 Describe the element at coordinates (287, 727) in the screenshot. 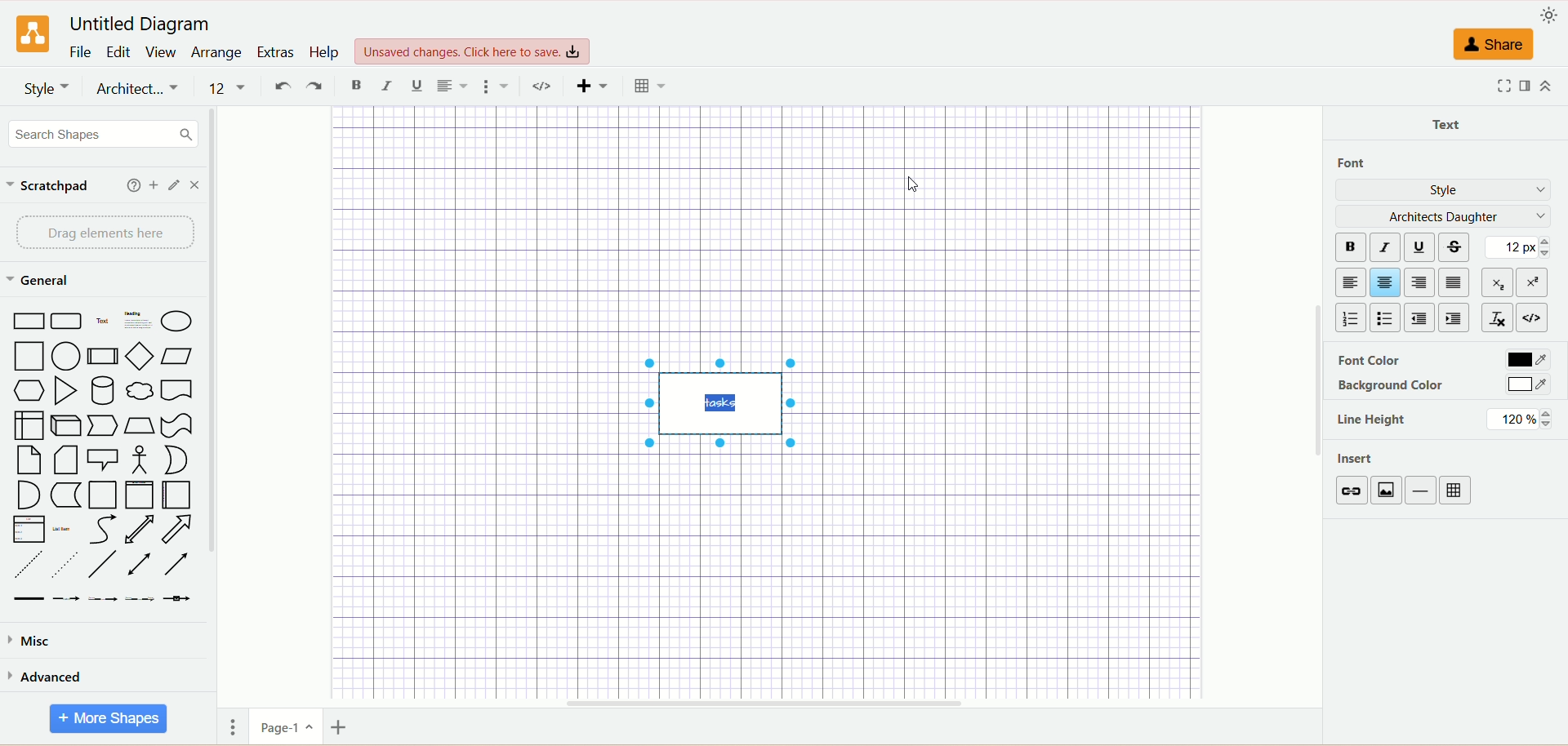

I see `page-1` at that location.